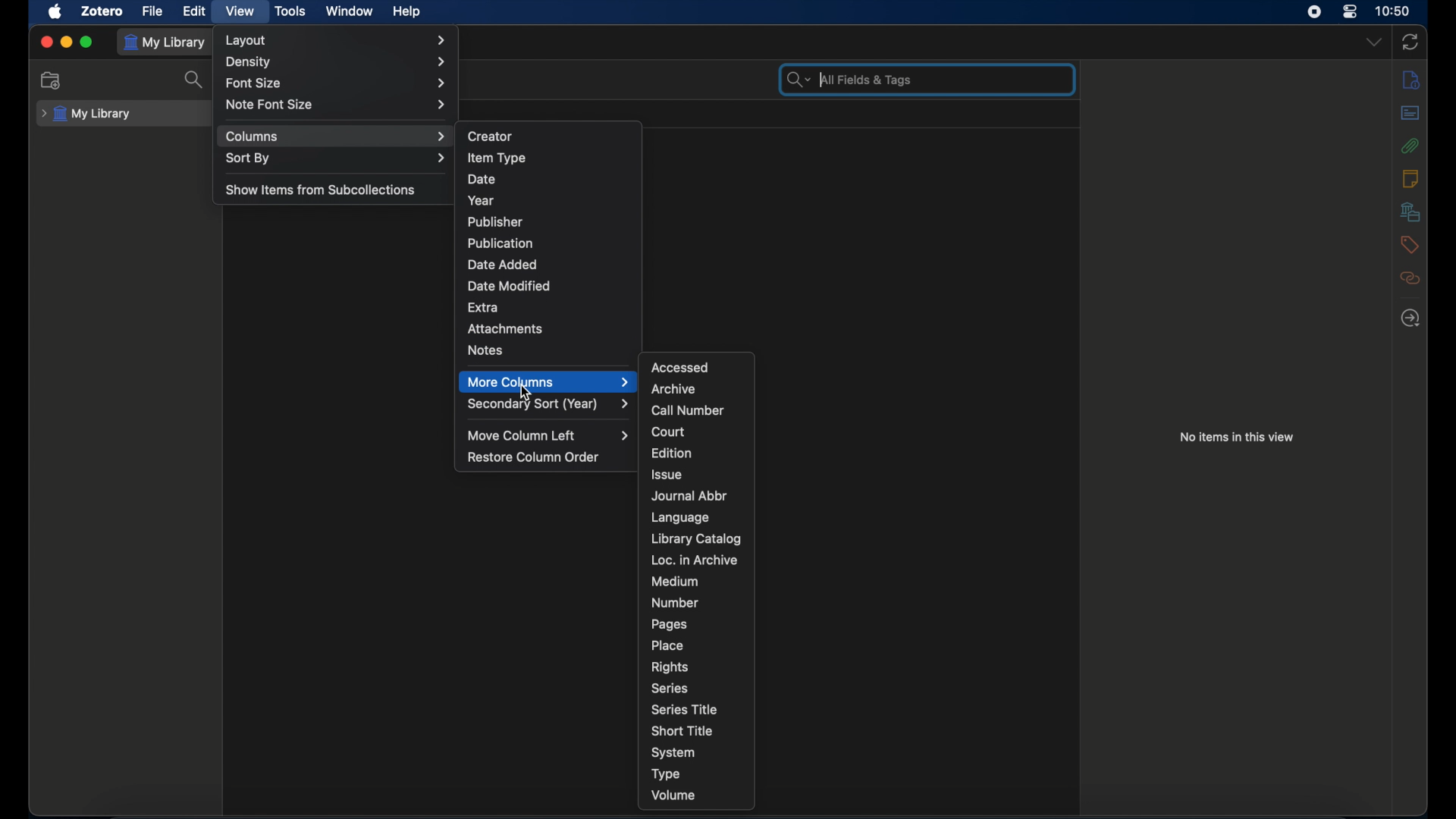  I want to click on maximize, so click(86, 42).